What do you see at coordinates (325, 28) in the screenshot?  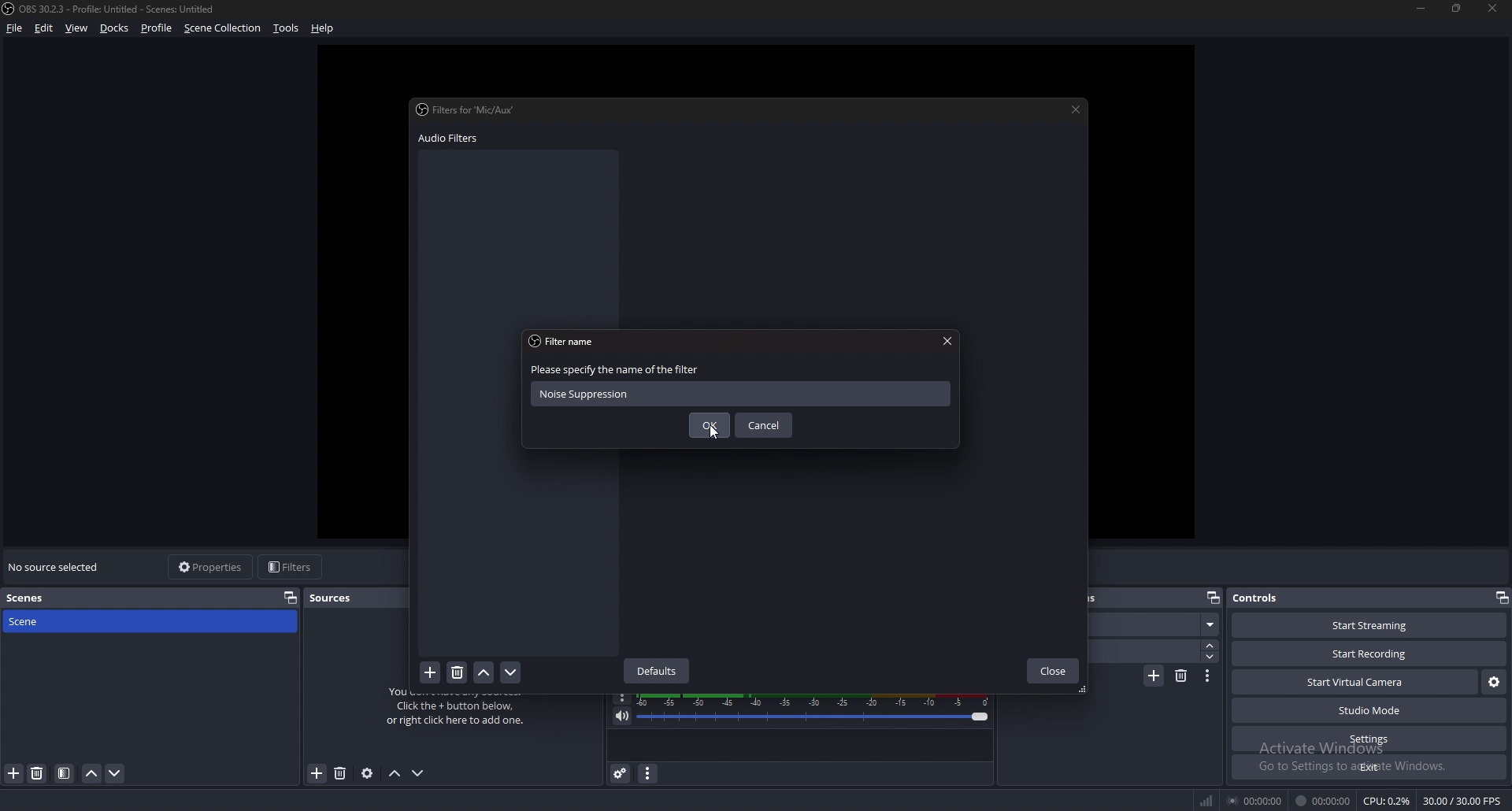 I see `help` at bounding box center [325, 28].